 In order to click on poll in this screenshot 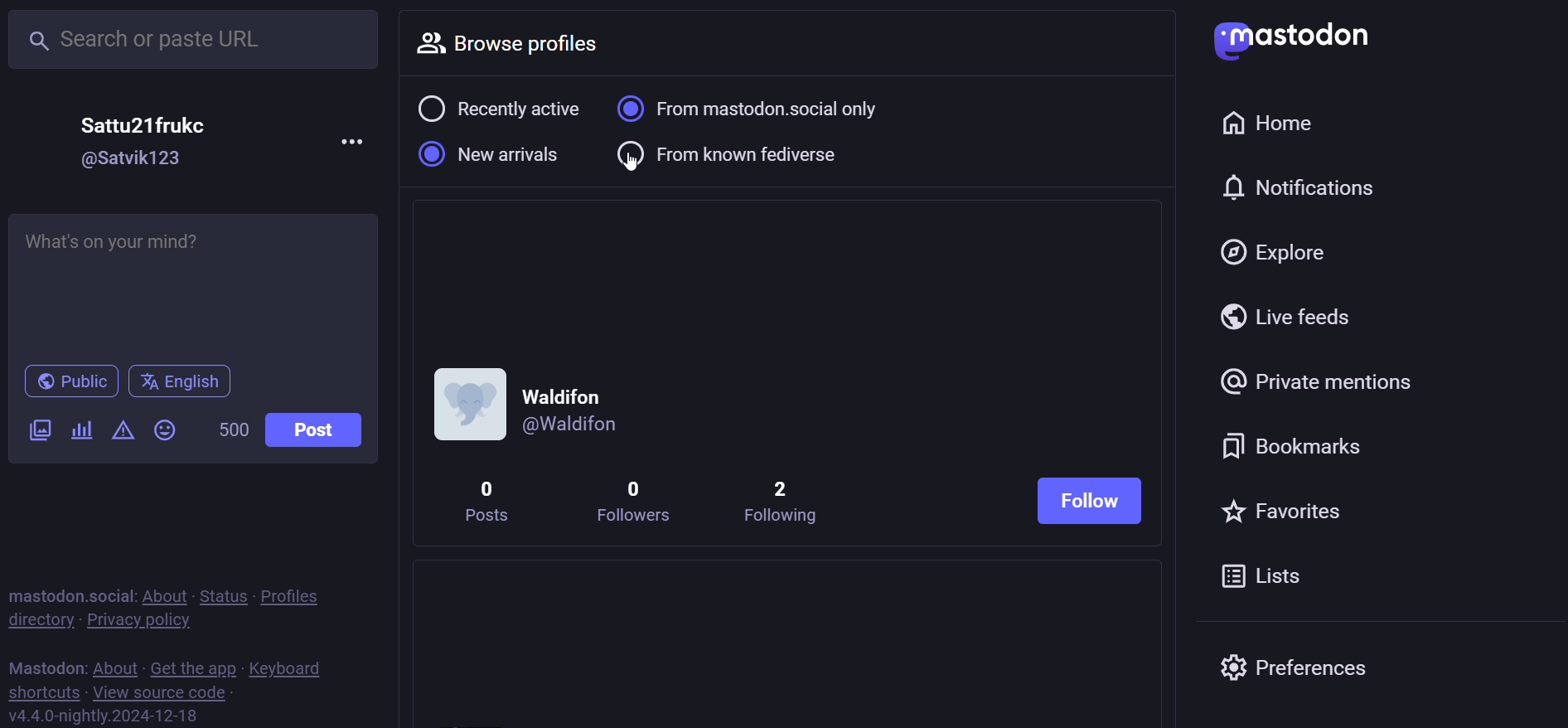, I will do `click(81, 431)`.